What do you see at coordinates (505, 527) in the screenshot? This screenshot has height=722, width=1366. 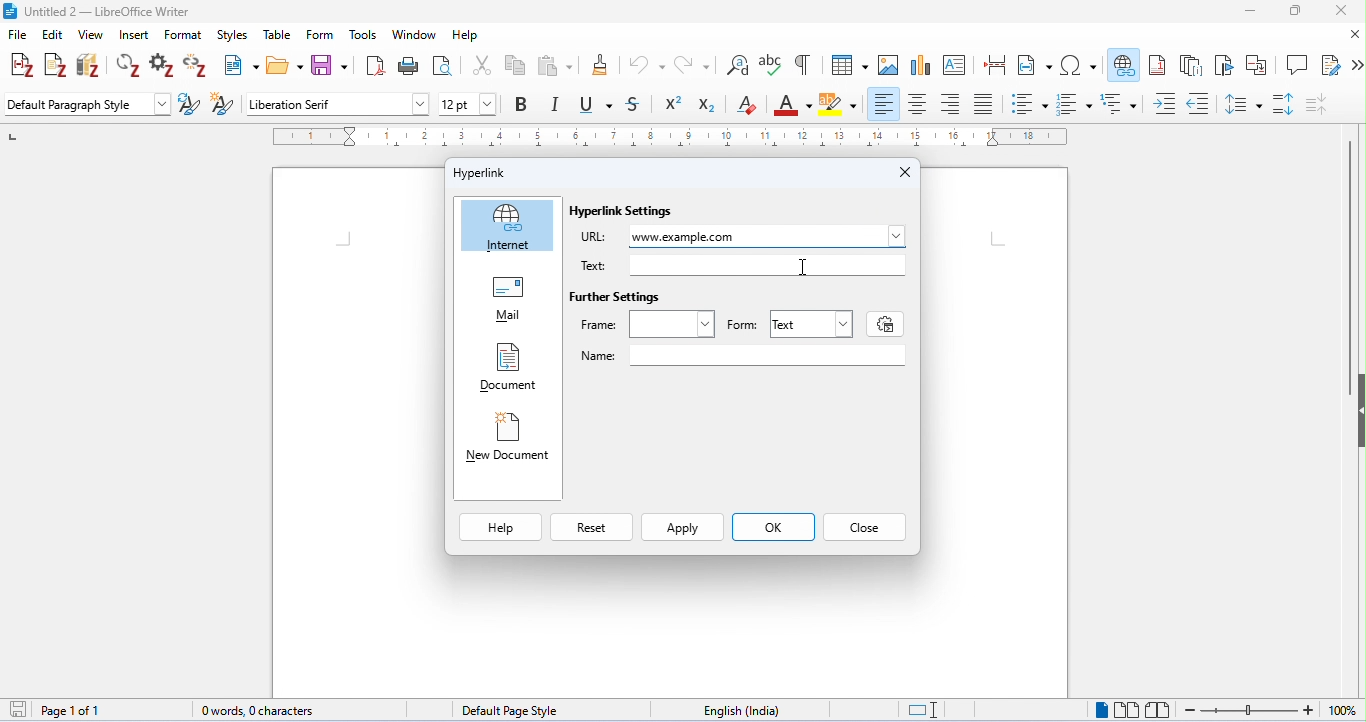 I see `Help` at bounding box center [505, 527].